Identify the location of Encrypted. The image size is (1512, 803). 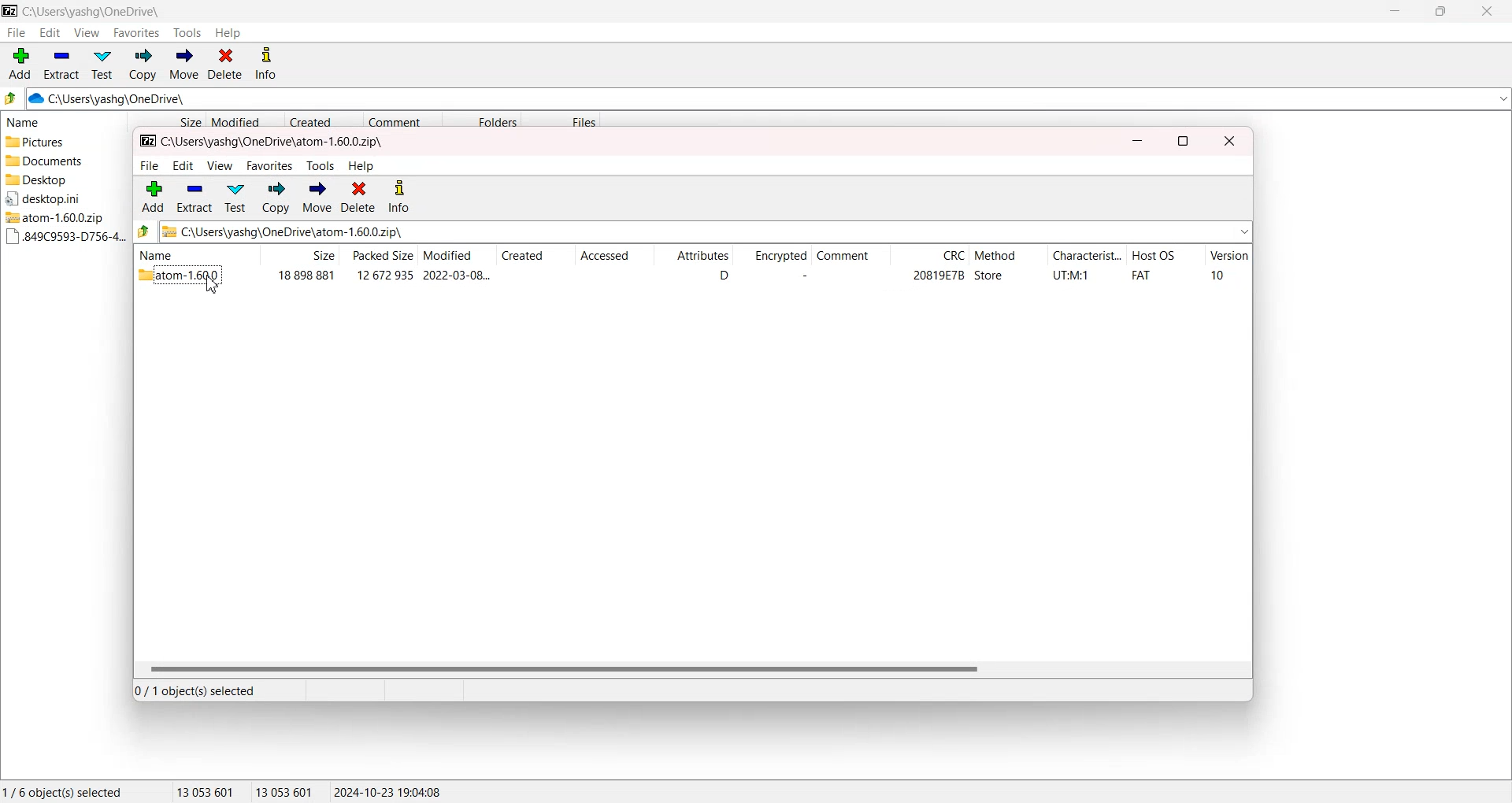
(771, 257).